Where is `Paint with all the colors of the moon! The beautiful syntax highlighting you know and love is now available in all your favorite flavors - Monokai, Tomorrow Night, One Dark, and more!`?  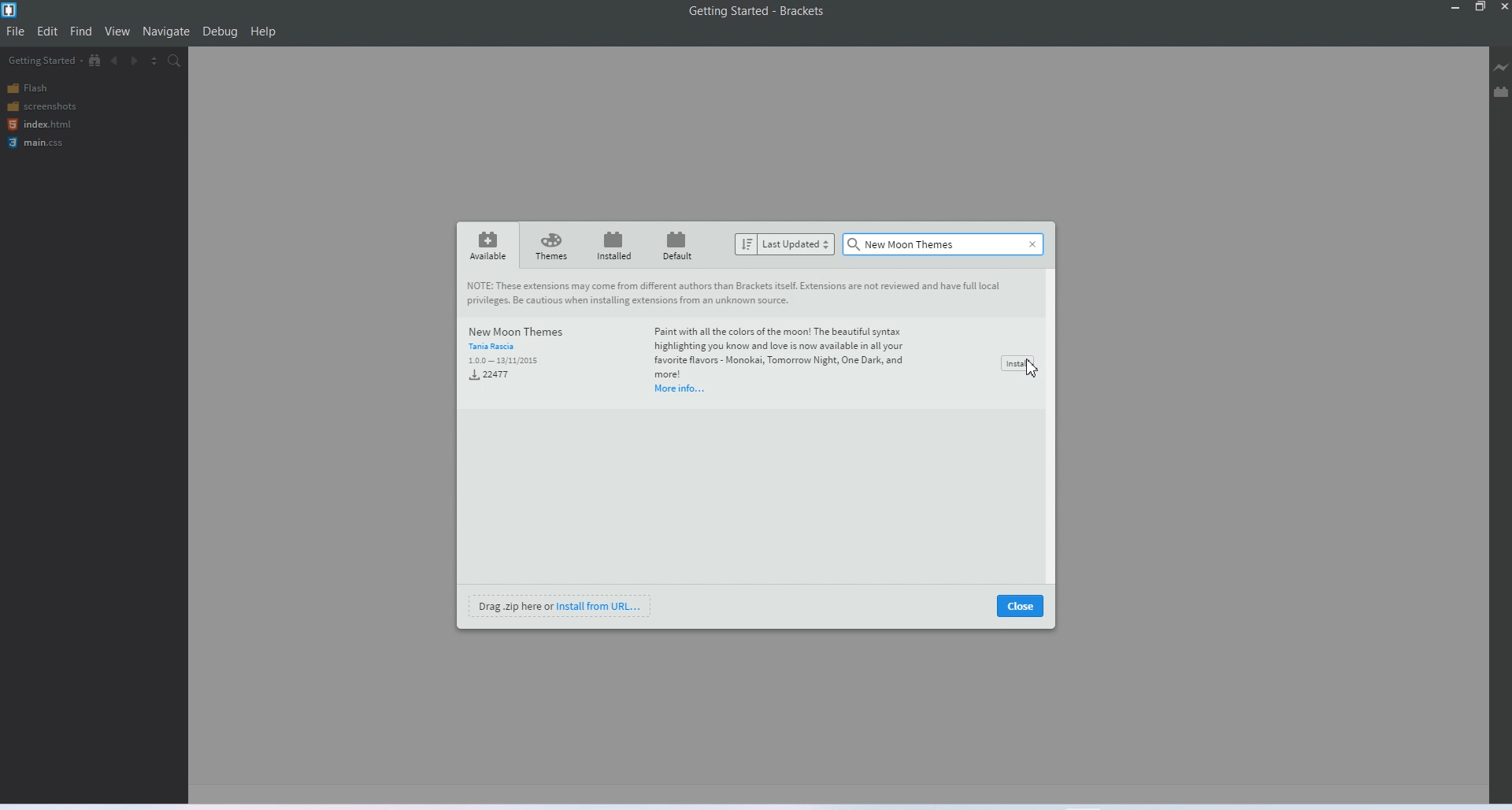 Paint with all the colors of the moon! The beautiful syntax highlighting you know and love is now available in all your favorite flavors - Monokai, Tomorrow Night, One Dark, and more! is located at coordinates (784, 352).